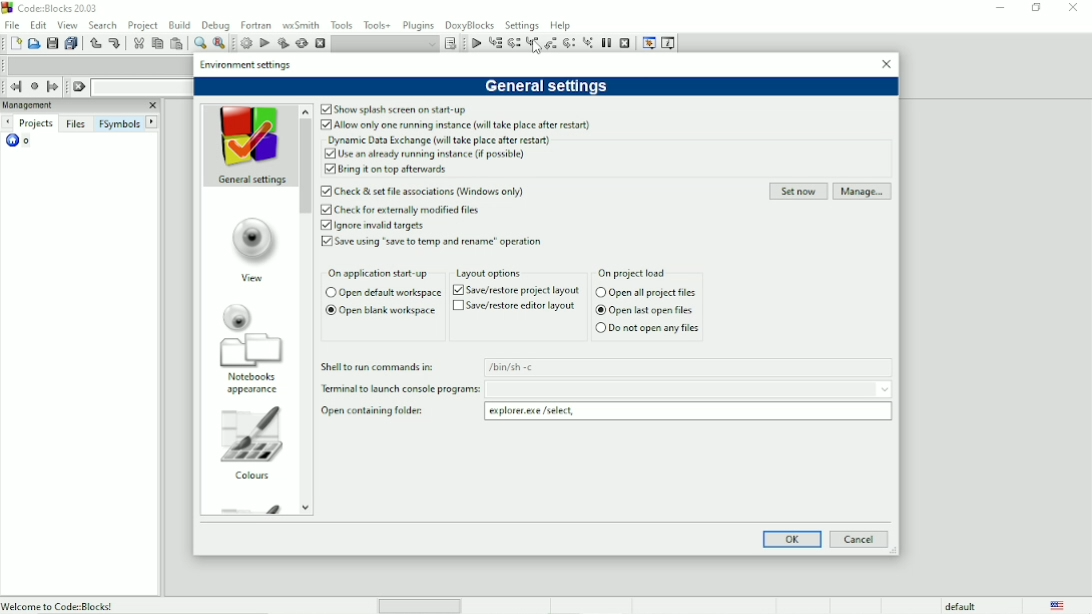 This screenshot has width=1092, height=614. What do you see at coordinates (688, 411) in the screenshot?
I see `explorer.exe/select` at bounding box center [688, 411].